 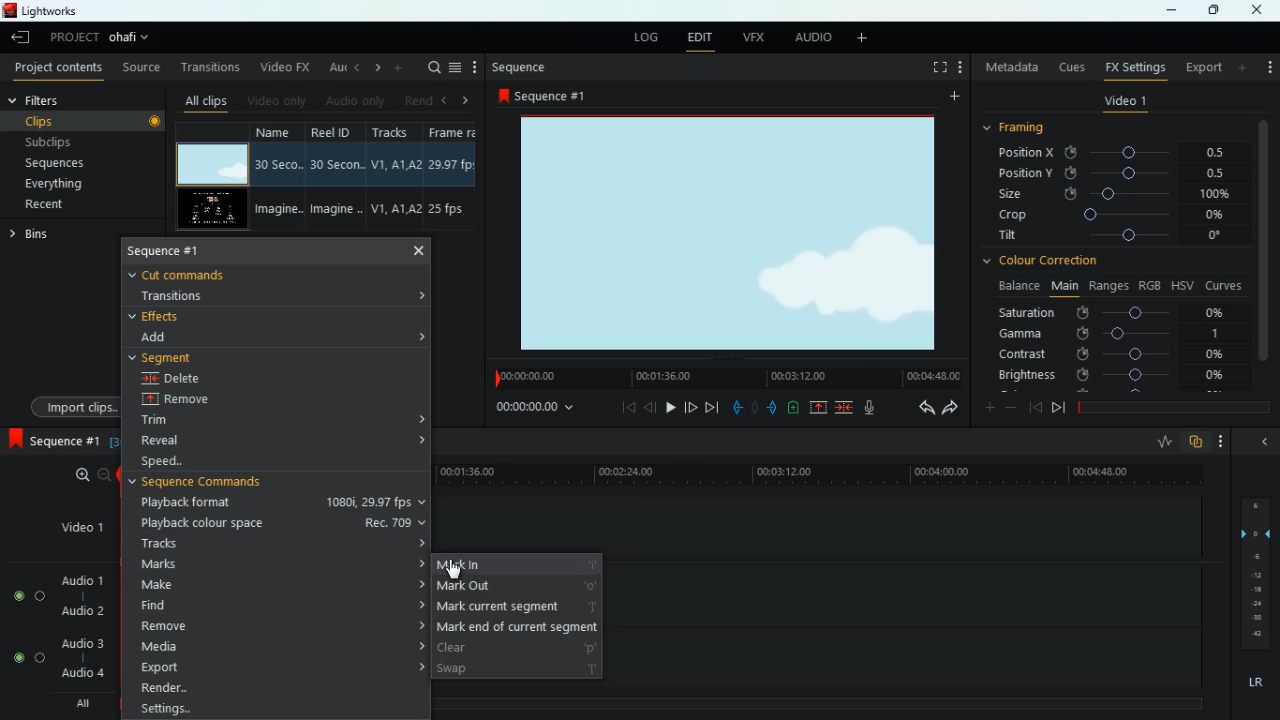 I want to click on screen, so click(x=211, y=210).